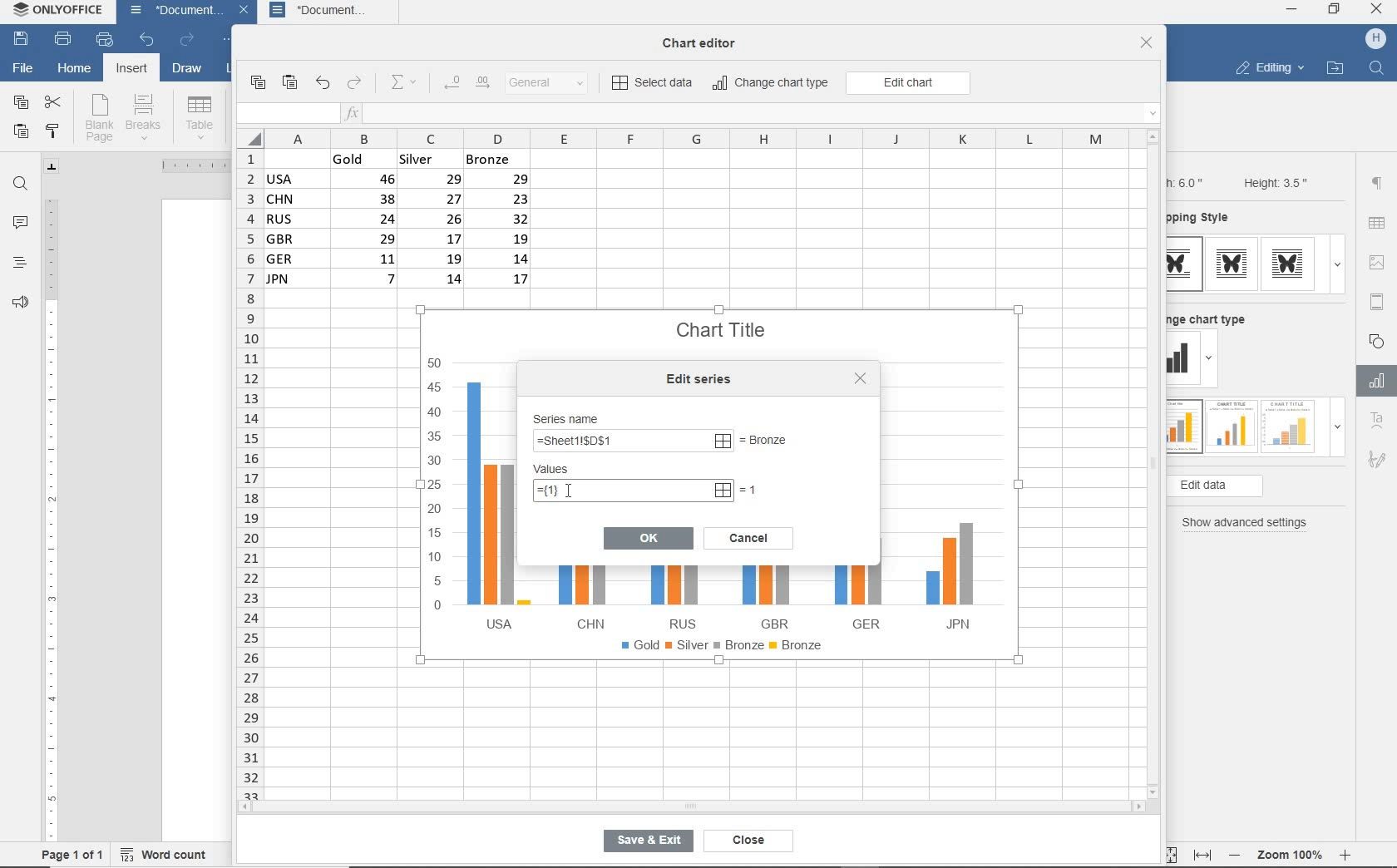 The height and width of the screenshot is (868, 1397). What do you see at coordinates (52, 166) in the screenshot?
I see `tab stop` at bounding box center [52, 166].